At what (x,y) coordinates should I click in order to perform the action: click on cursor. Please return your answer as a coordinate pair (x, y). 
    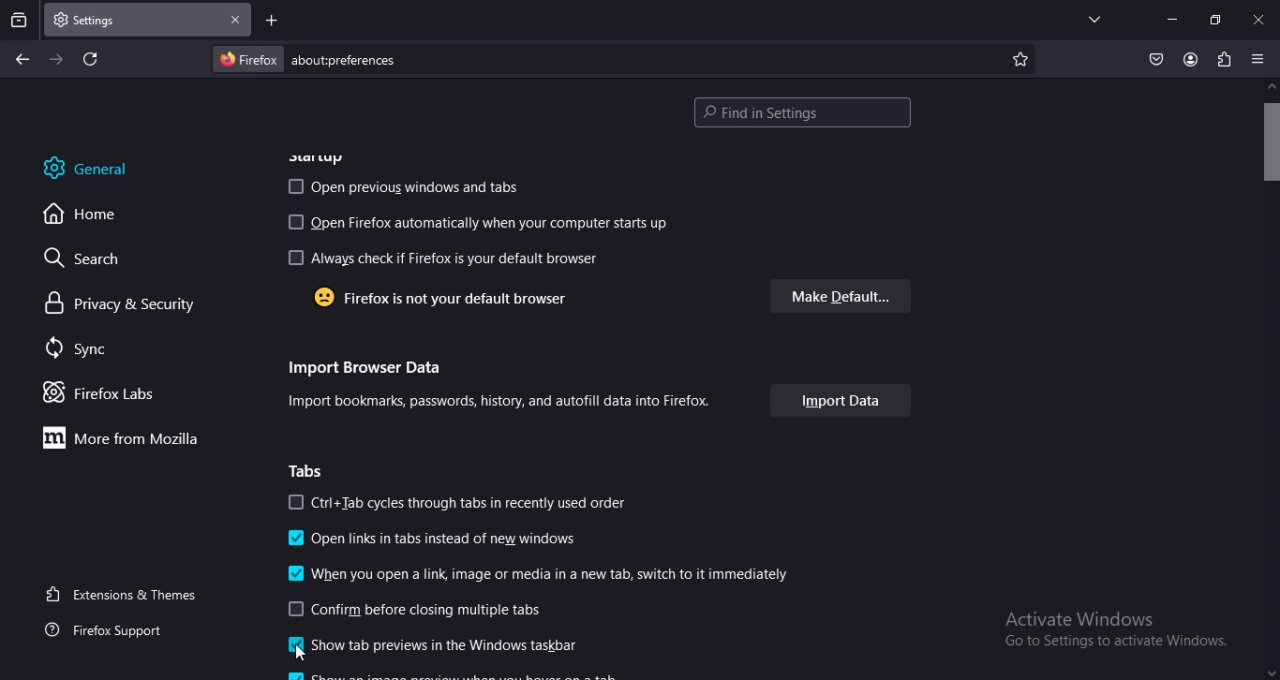
    Looking at the image, I should click on (303, 655).